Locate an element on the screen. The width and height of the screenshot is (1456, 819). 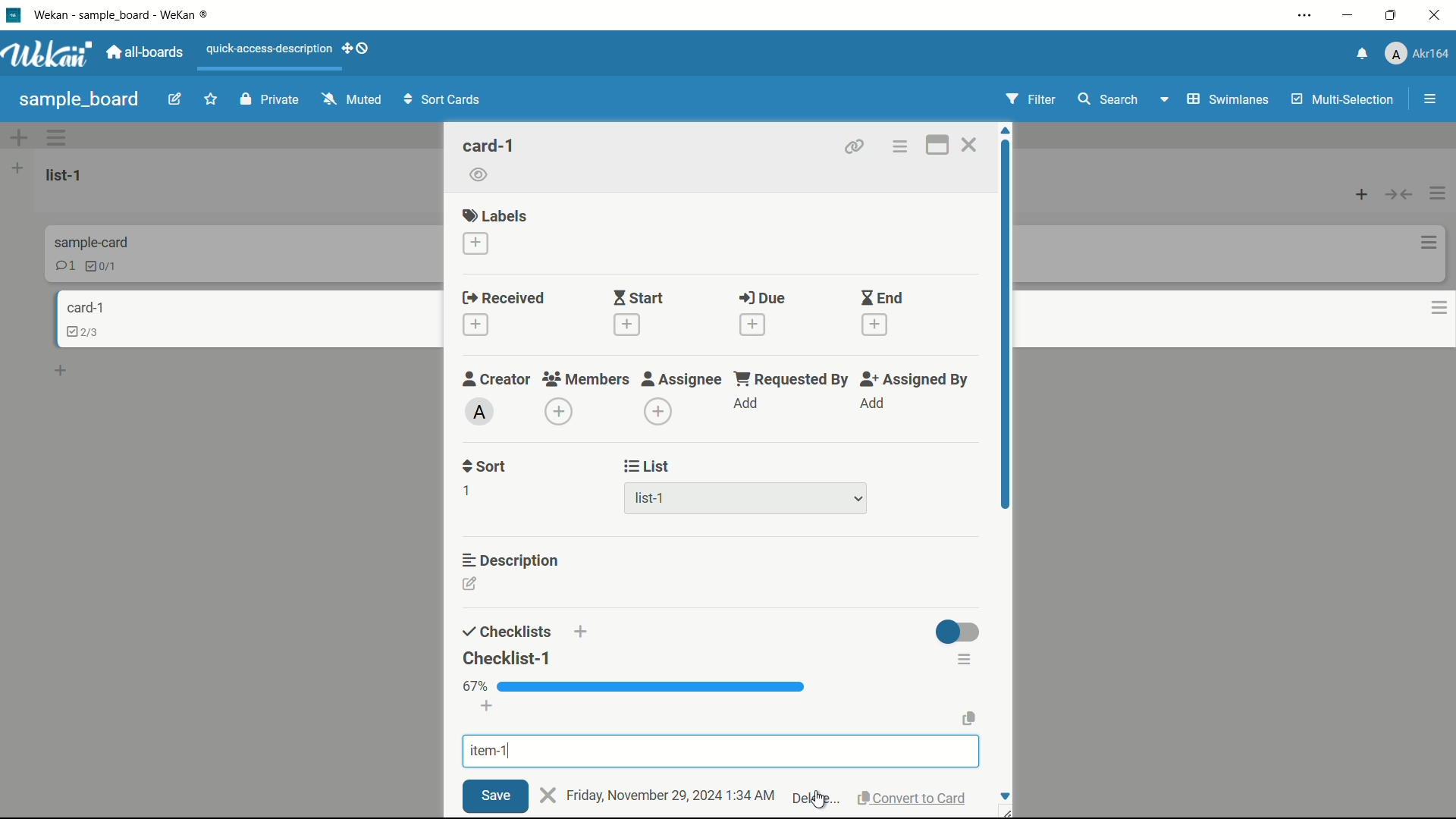
close app is located at coordinates (1436, 16).